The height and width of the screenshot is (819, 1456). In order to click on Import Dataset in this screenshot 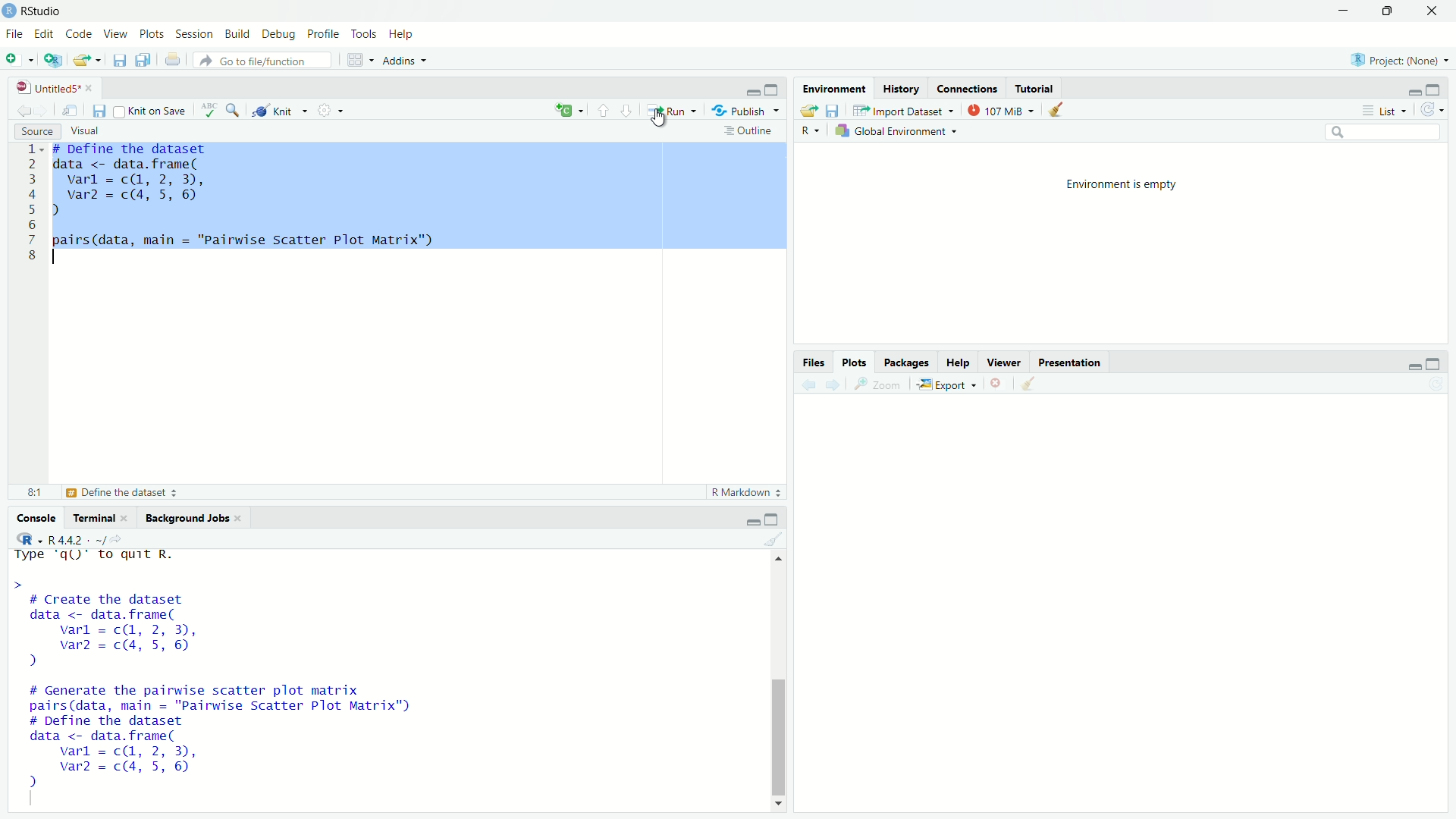, I will do `click(902, 109)`.